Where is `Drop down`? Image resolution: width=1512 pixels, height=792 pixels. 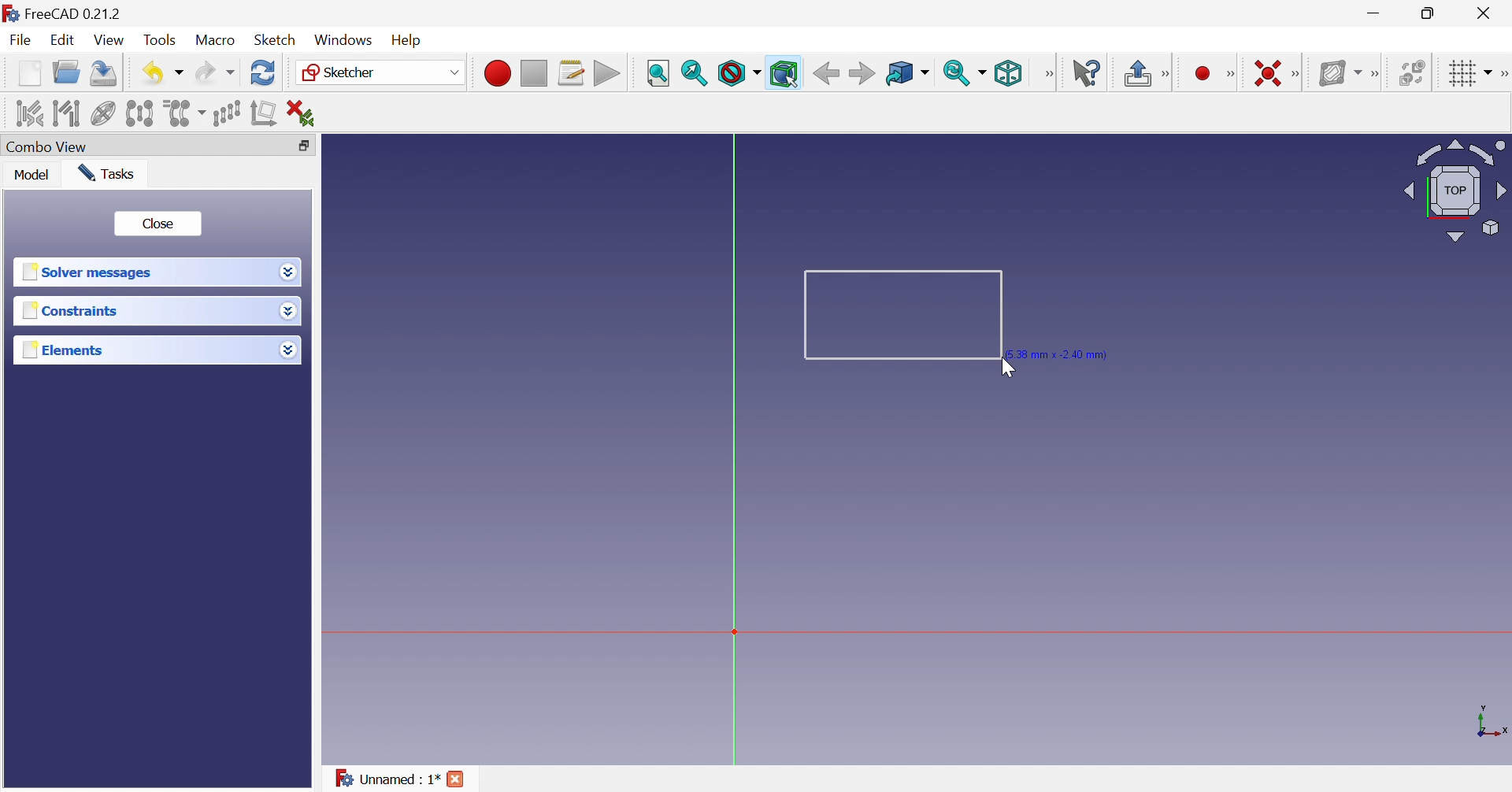
Drop down is located at coordinates (288, 311).